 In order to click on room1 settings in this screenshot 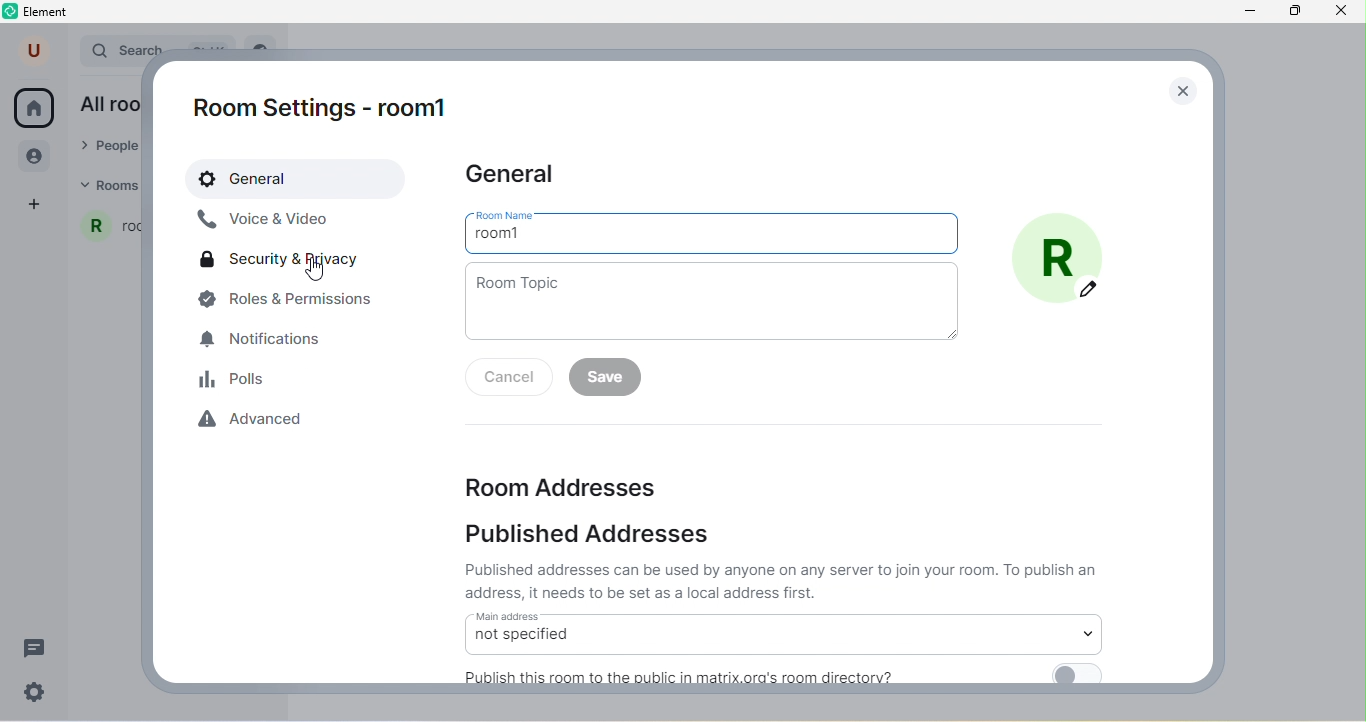, I will do `click(333, 112)`.